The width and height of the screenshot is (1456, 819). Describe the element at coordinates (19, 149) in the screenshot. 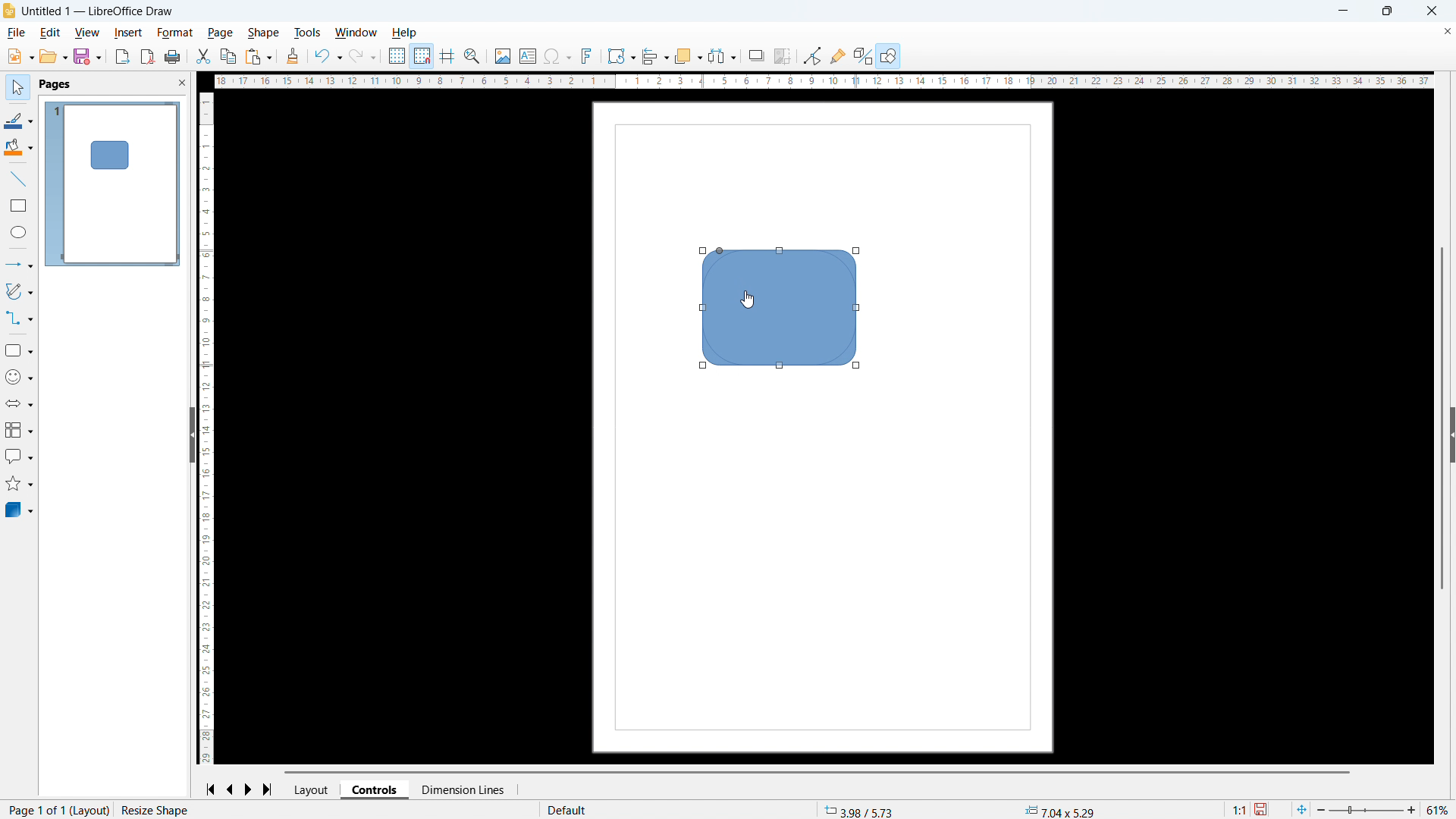

I see `Background colour ` at that location.